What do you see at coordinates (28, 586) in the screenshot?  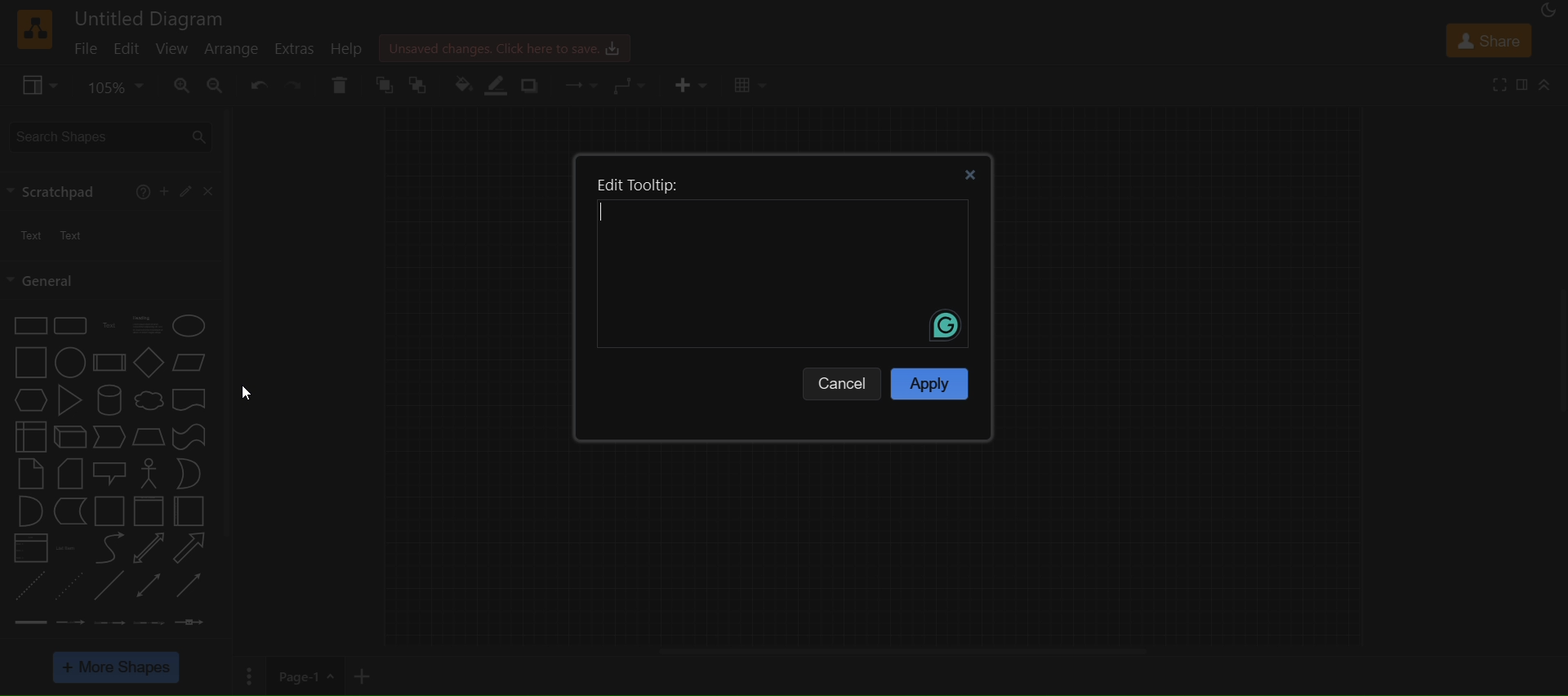 I see `dashed line` at bounding box center [28, 586].